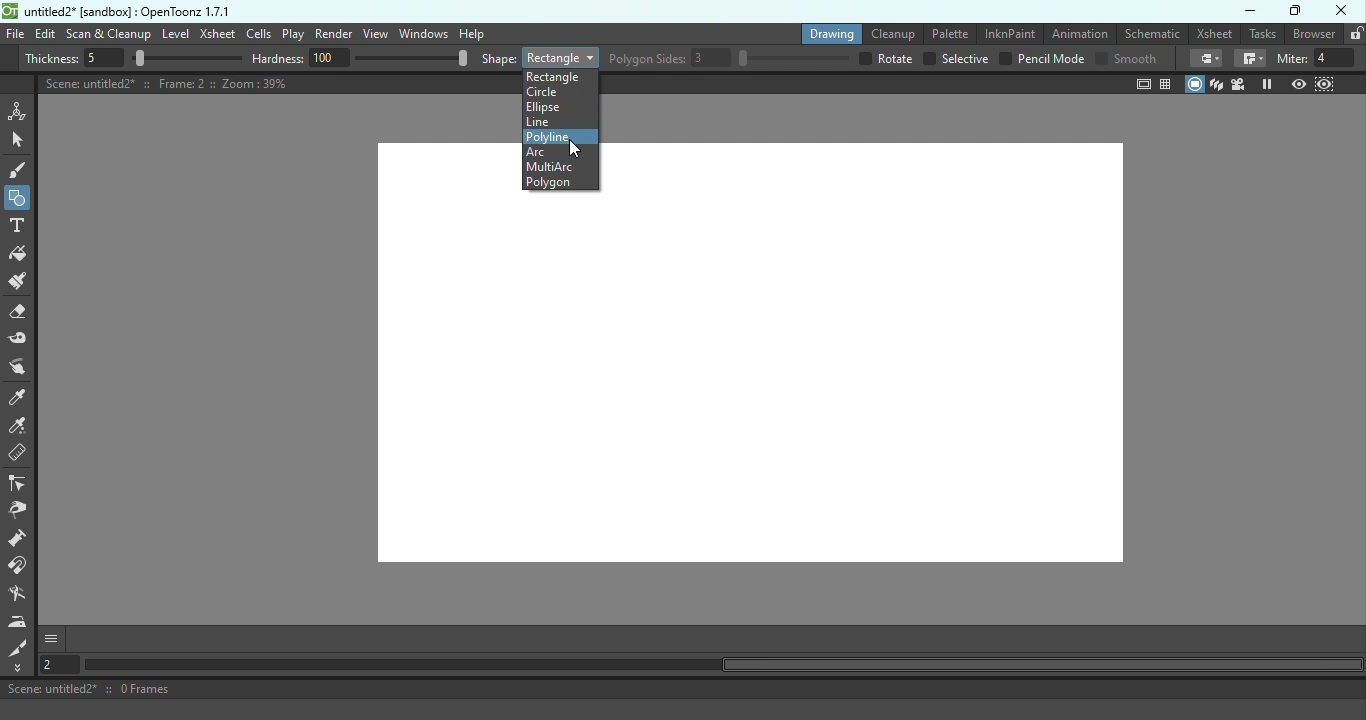 This screenshot has height=720, width=1366. What do you see at coordinates (1167, 83) in the screenshot?
I see `Field guide` at bounding box center [1167, 83].